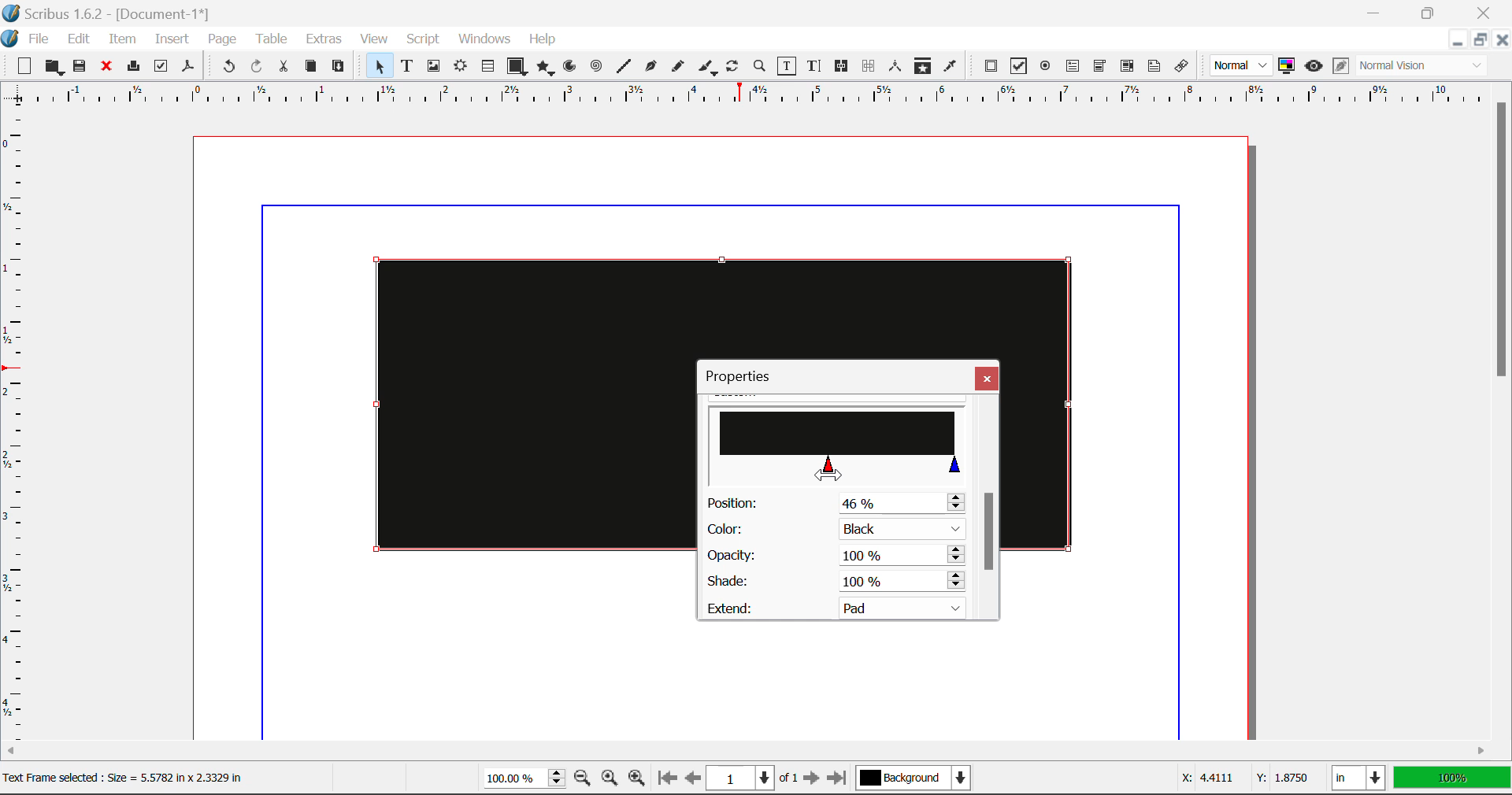 The height and width of the screenshot is (795, 1512). Describe the element at coordinates (123, 41) in the screenshot. I see `Item` at that location.